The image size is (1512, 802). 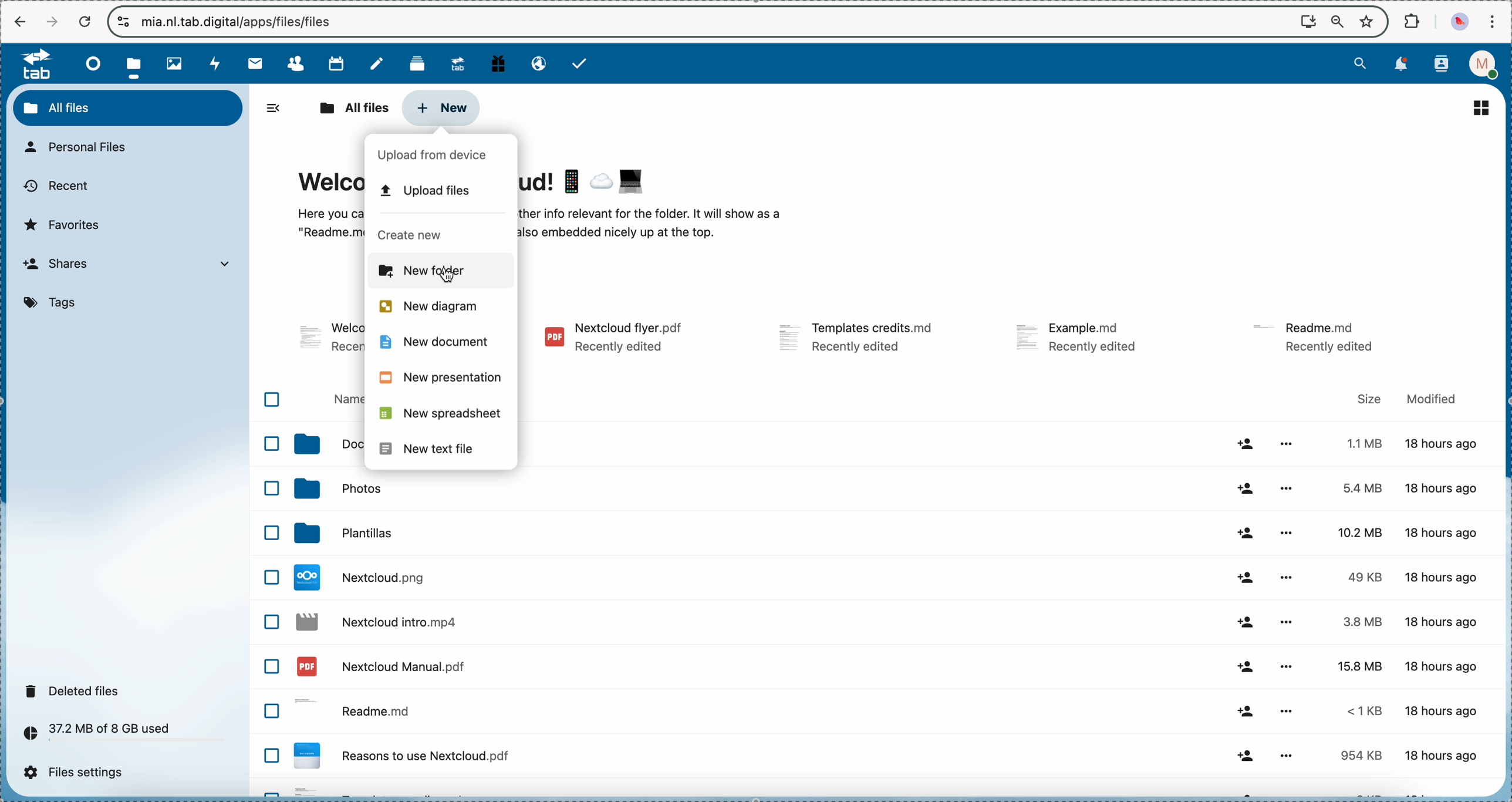 I want to click on mail, so click(x=254, y=63).